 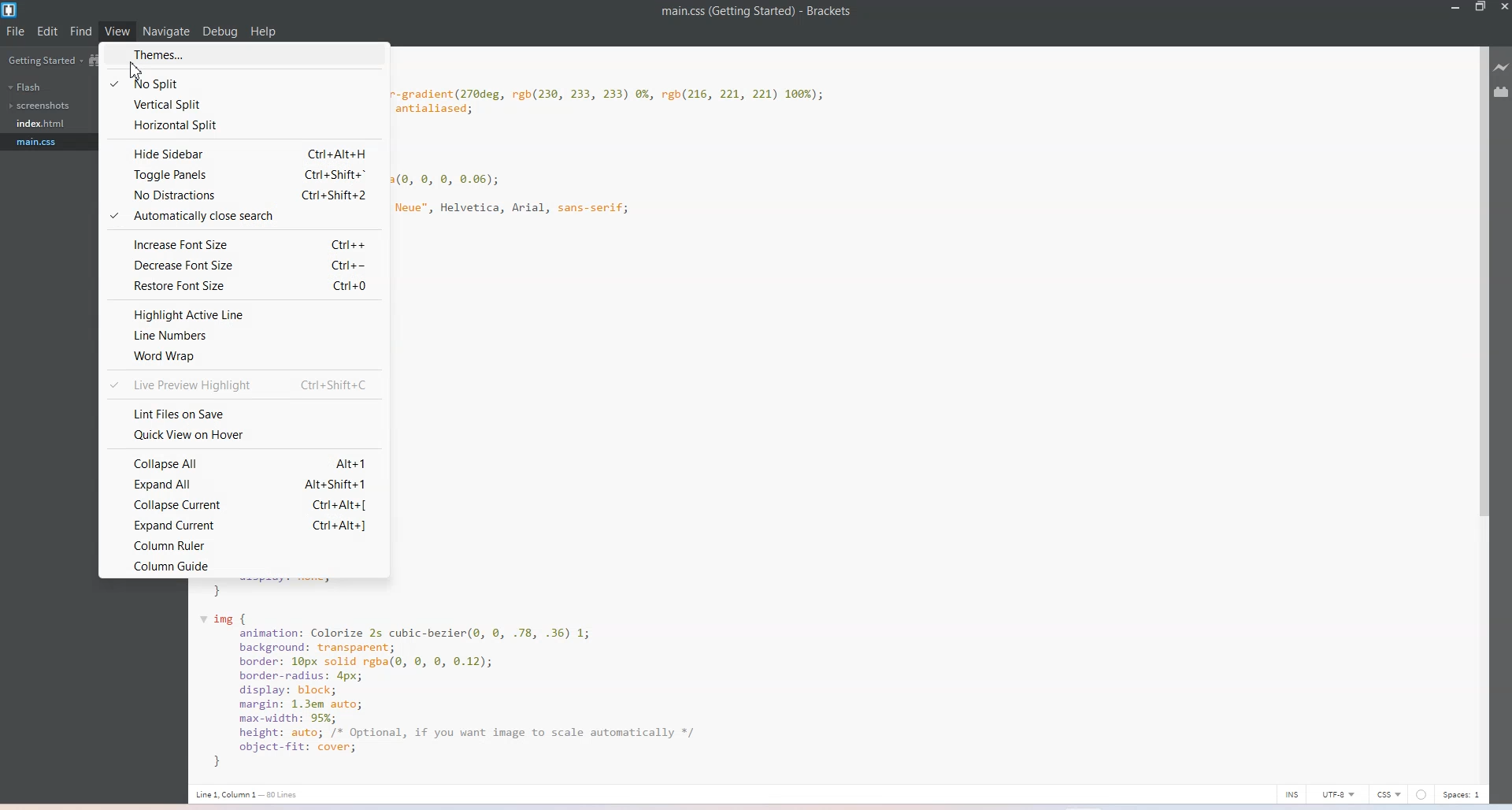 What do you see at coordinates (246, 355) in the screenshot?
I see `Word wrap` at bounding box center [246, 355].